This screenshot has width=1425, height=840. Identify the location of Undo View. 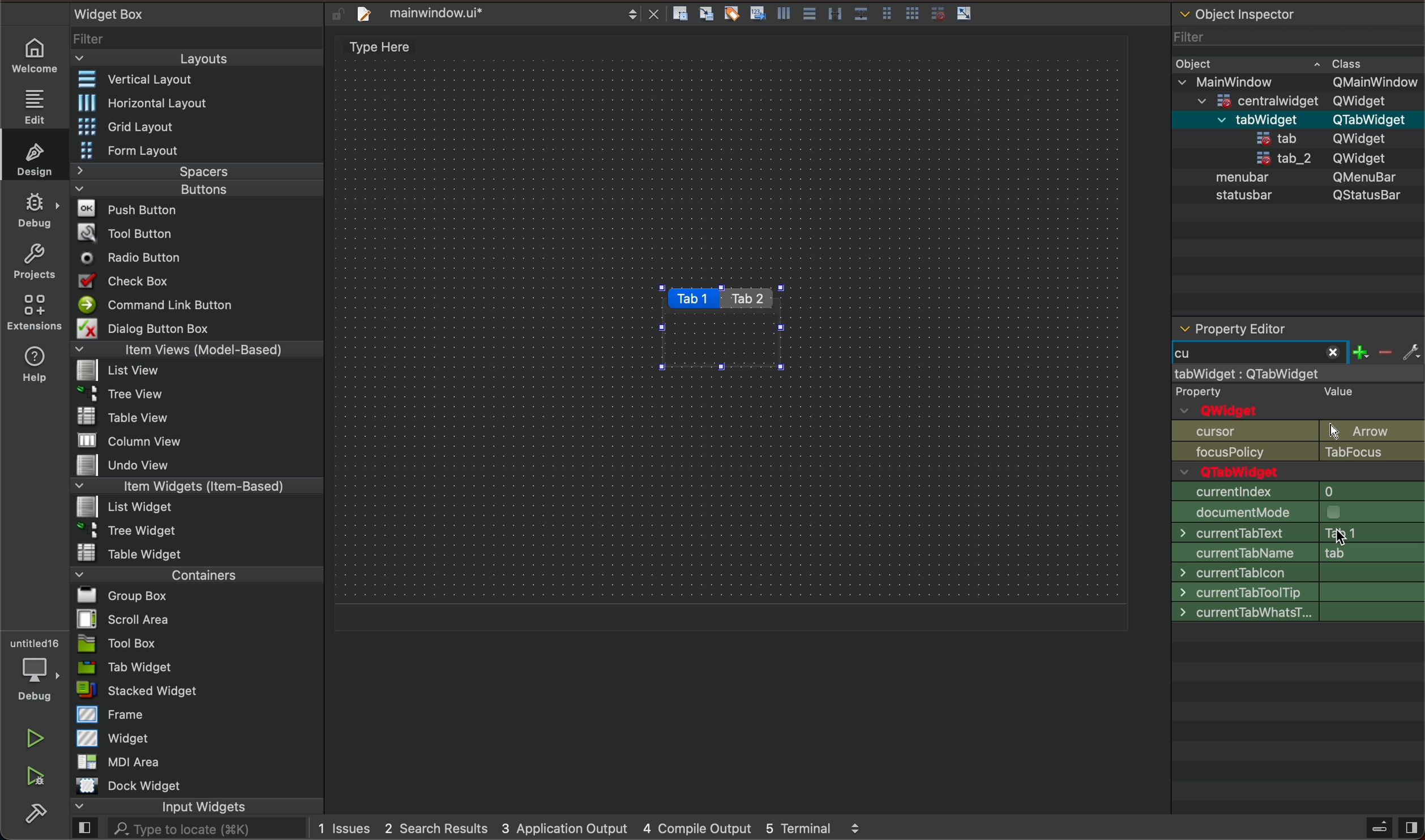
(117, 466).